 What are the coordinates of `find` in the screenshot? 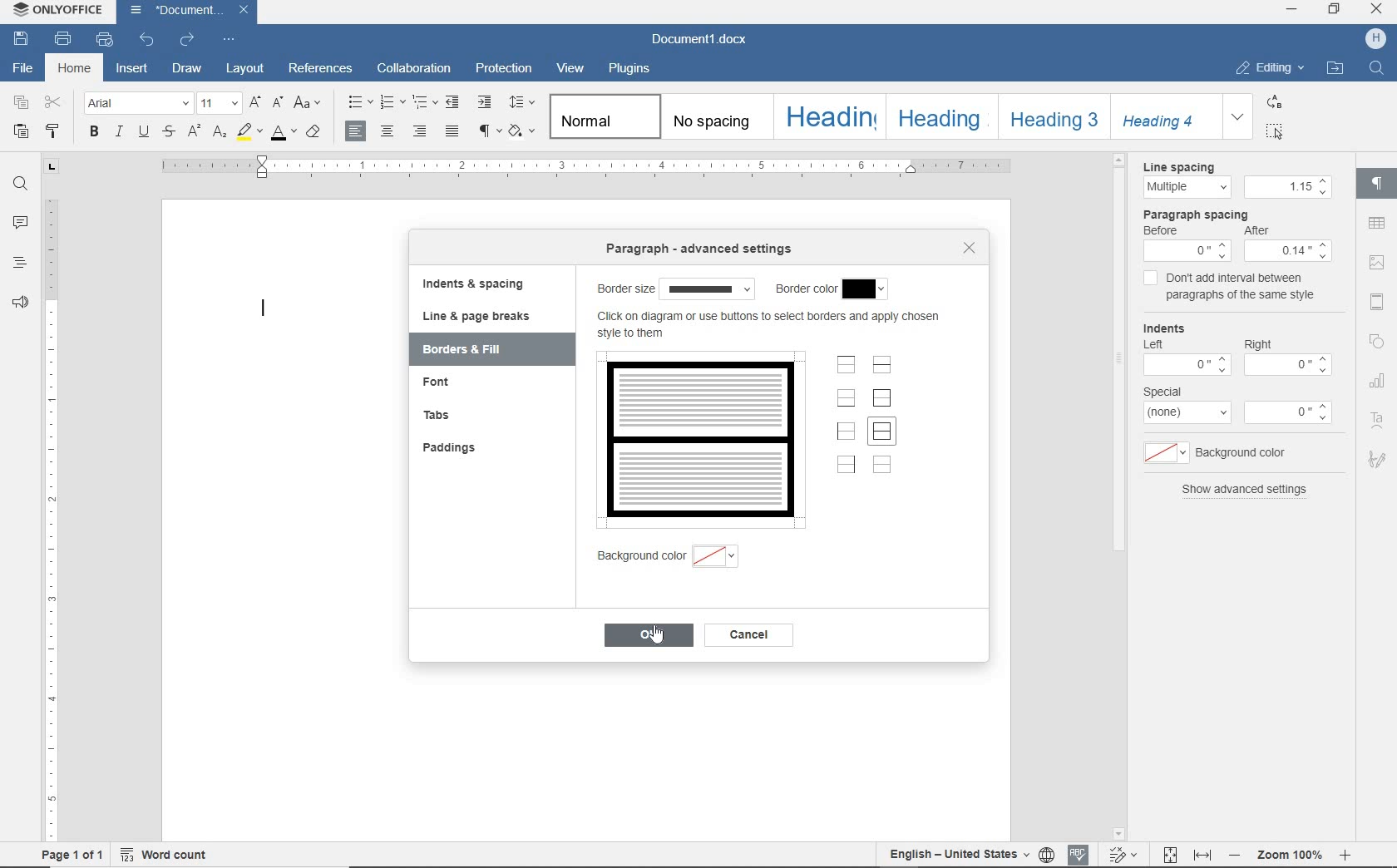 It's located at (17, 184).